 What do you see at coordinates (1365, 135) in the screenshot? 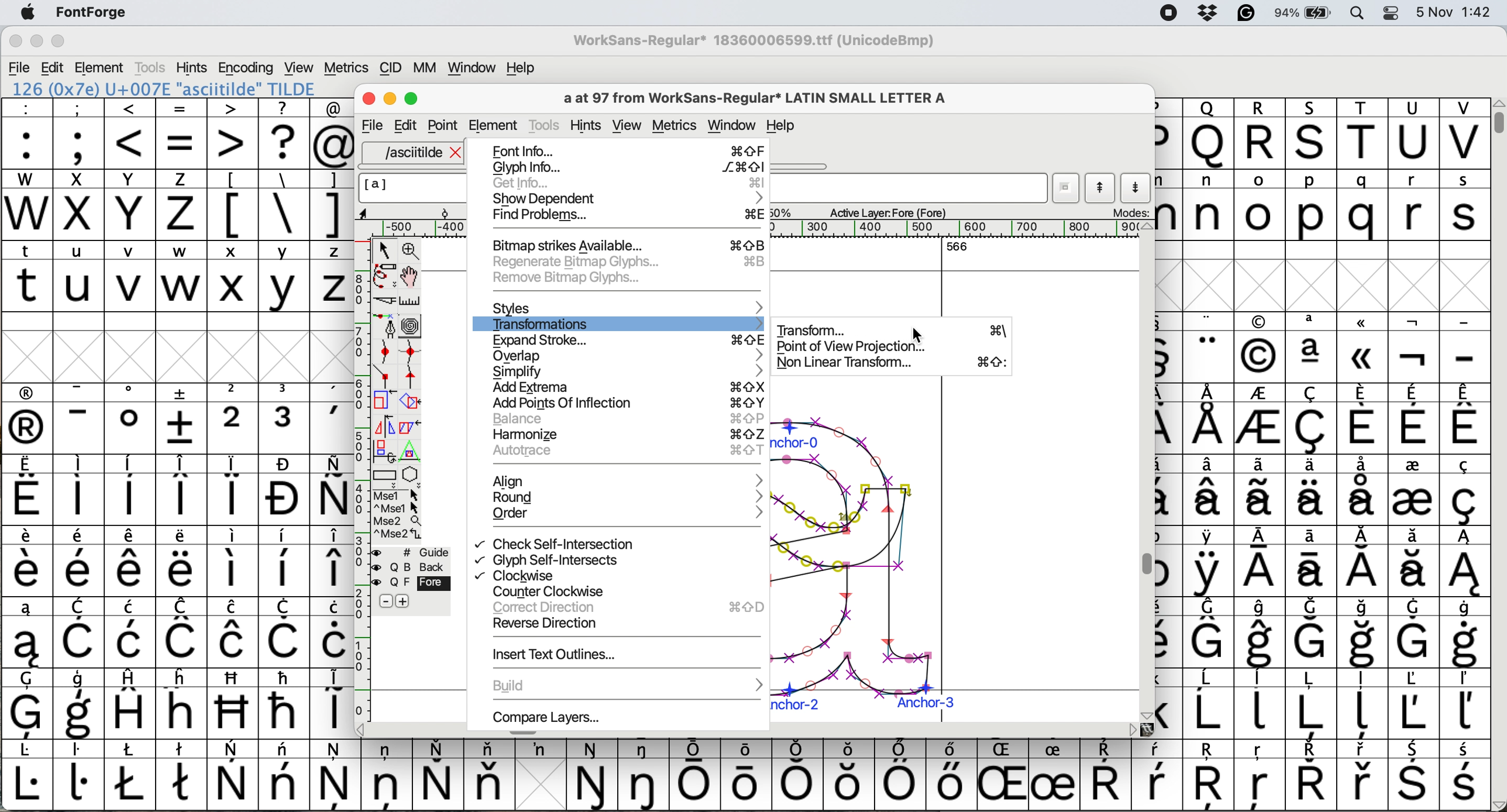
I see `T` at bounding box center [1365, 135].